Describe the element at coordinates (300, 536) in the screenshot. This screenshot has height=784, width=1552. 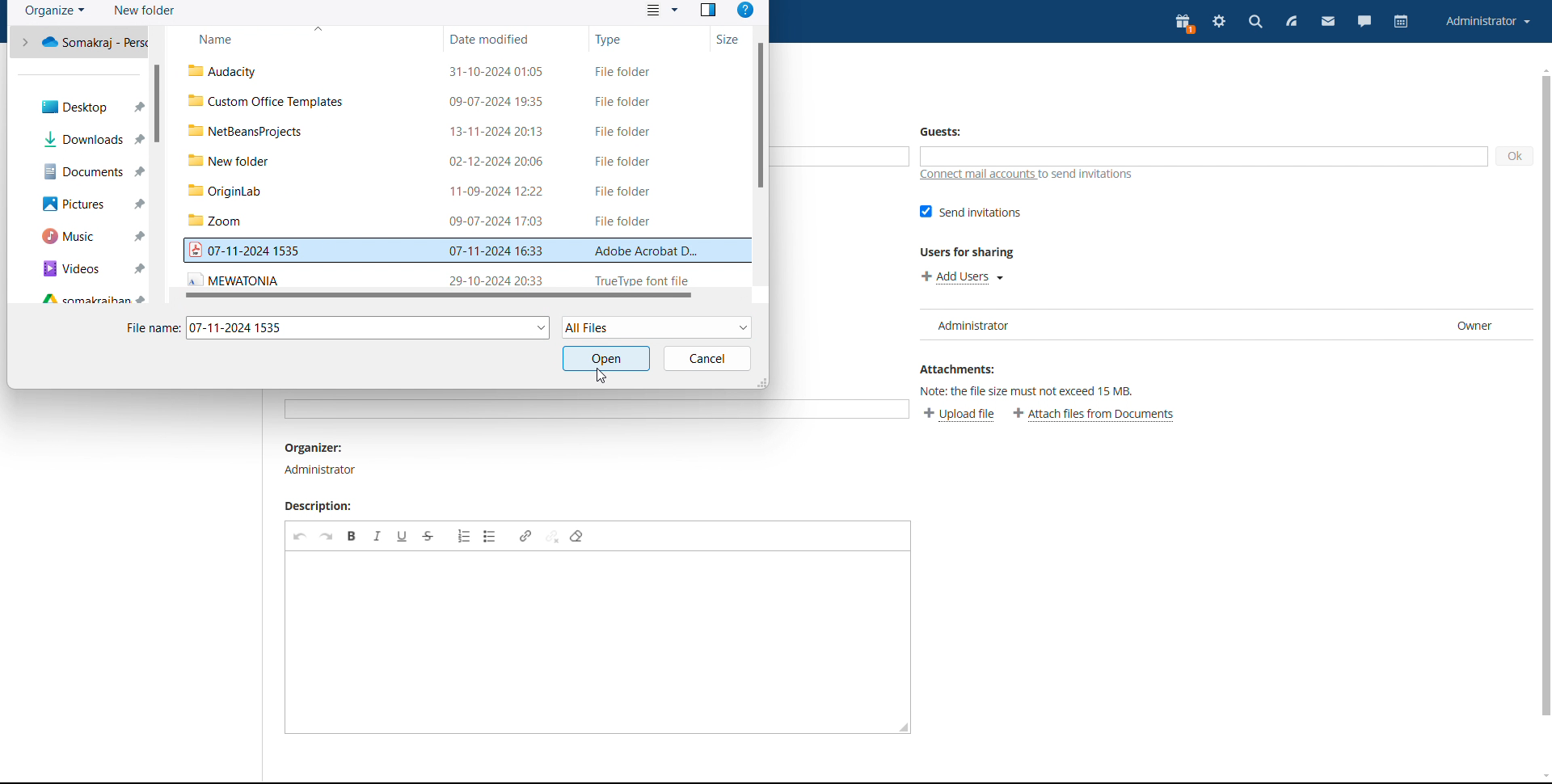
I see `undo` at that location.